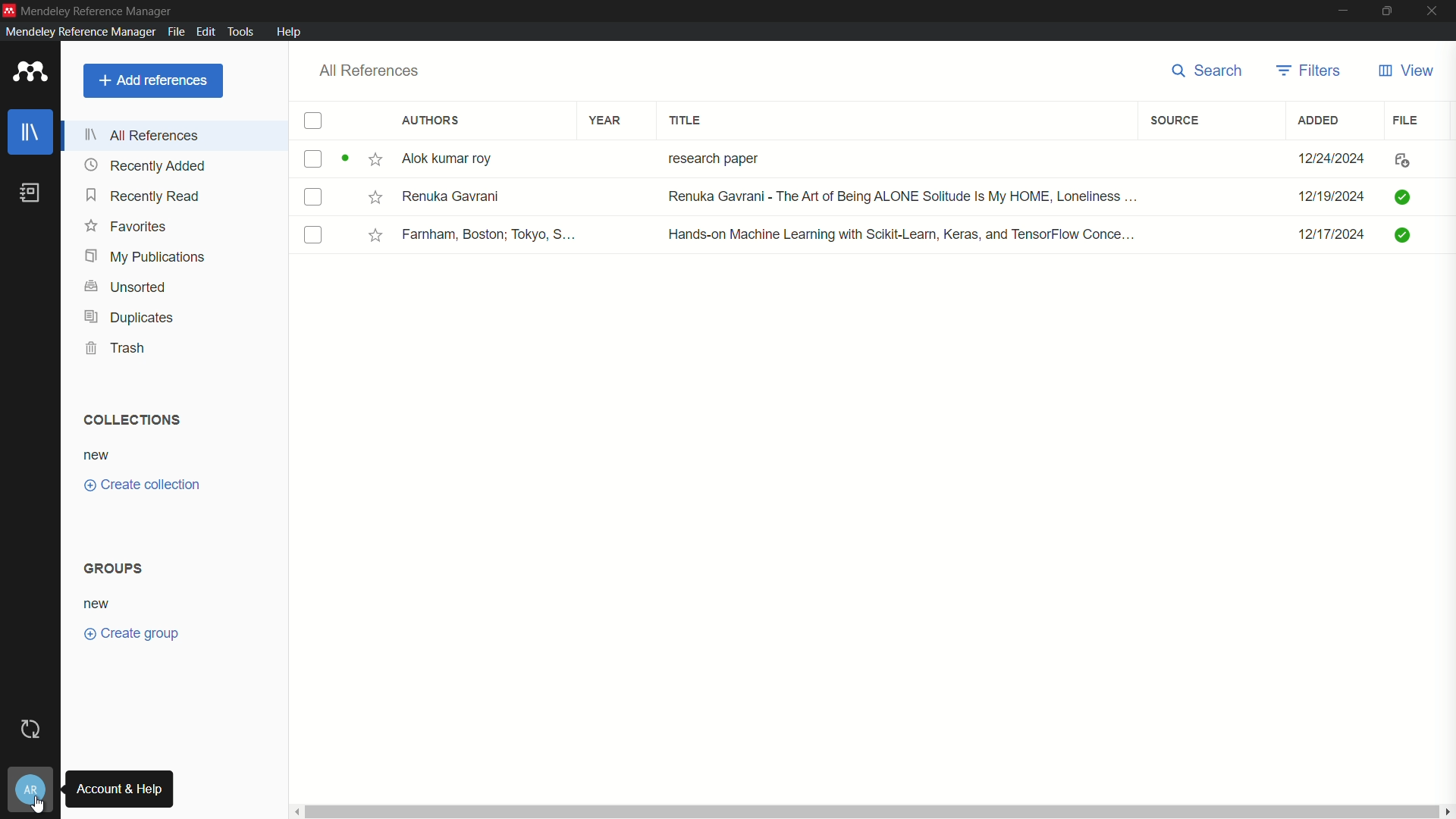 The width and height of the screenshot is (1456, 819). I want to click on trash, so click(115, 348).